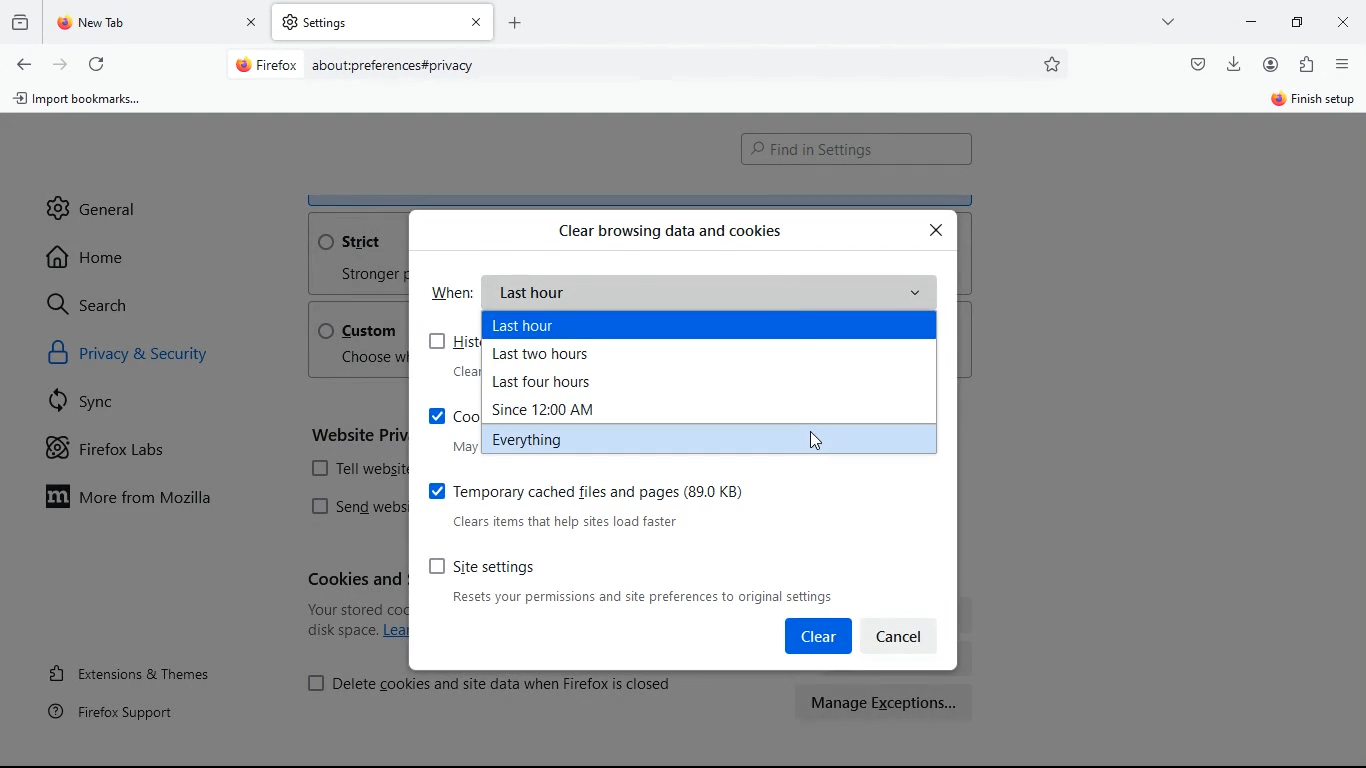 This screenshot has width=1366, height=768. I want to click on minimize, so click(1302, 21).